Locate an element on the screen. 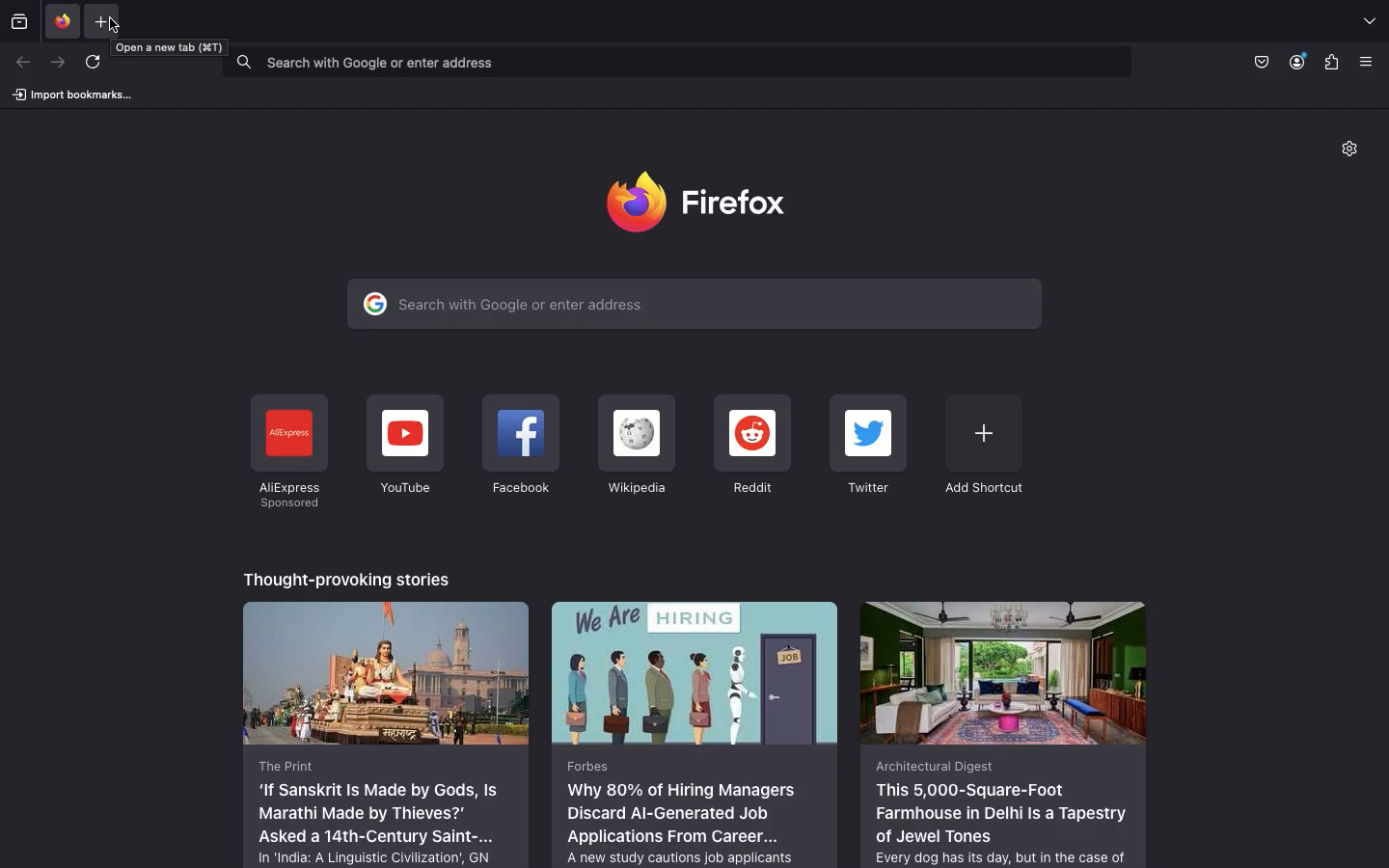 The width and height of the screenshot is (1389, 868). Add new tab is located at coordinates (101, 22).